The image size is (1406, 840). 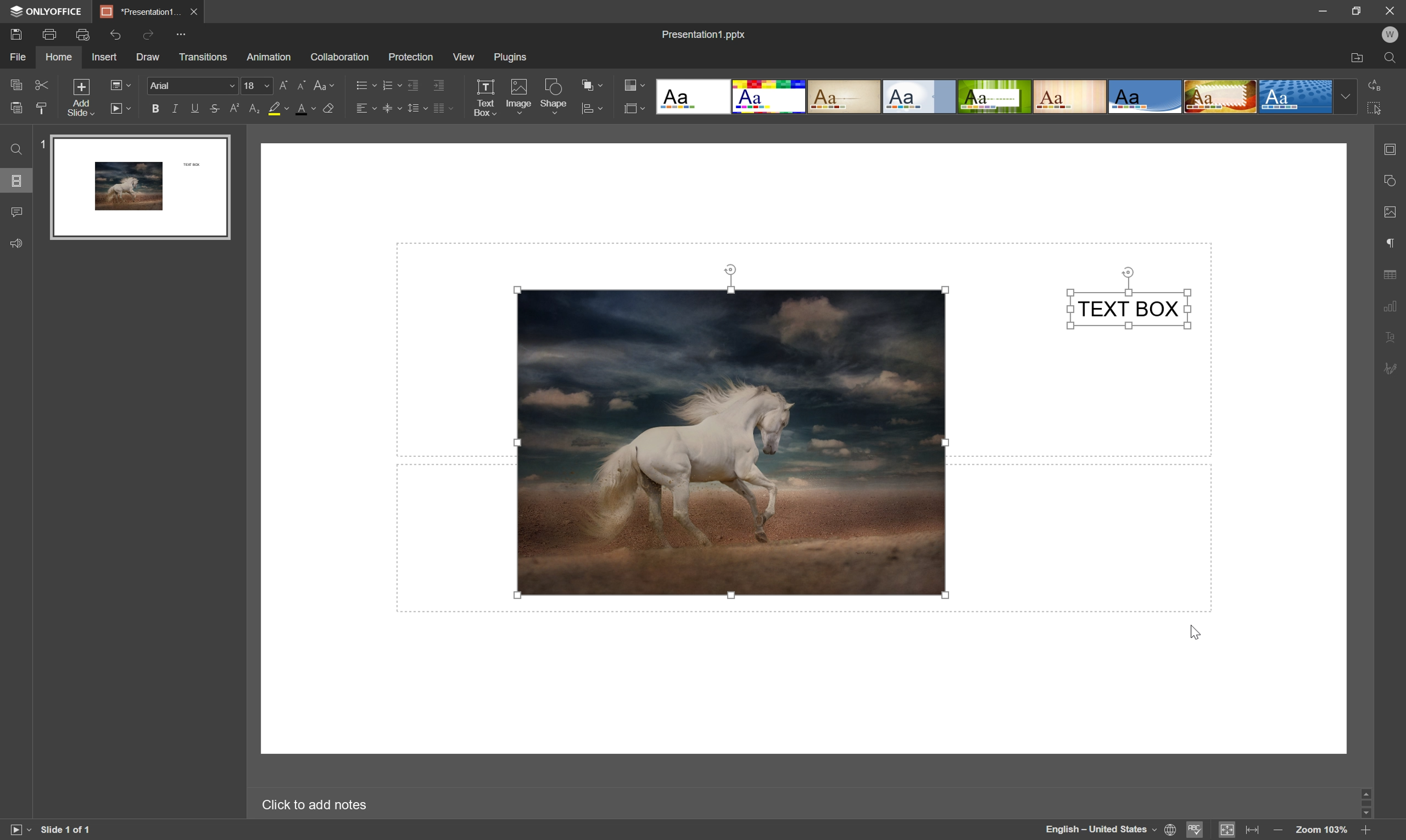 I want to click on animation, so click(x=269, y=57).